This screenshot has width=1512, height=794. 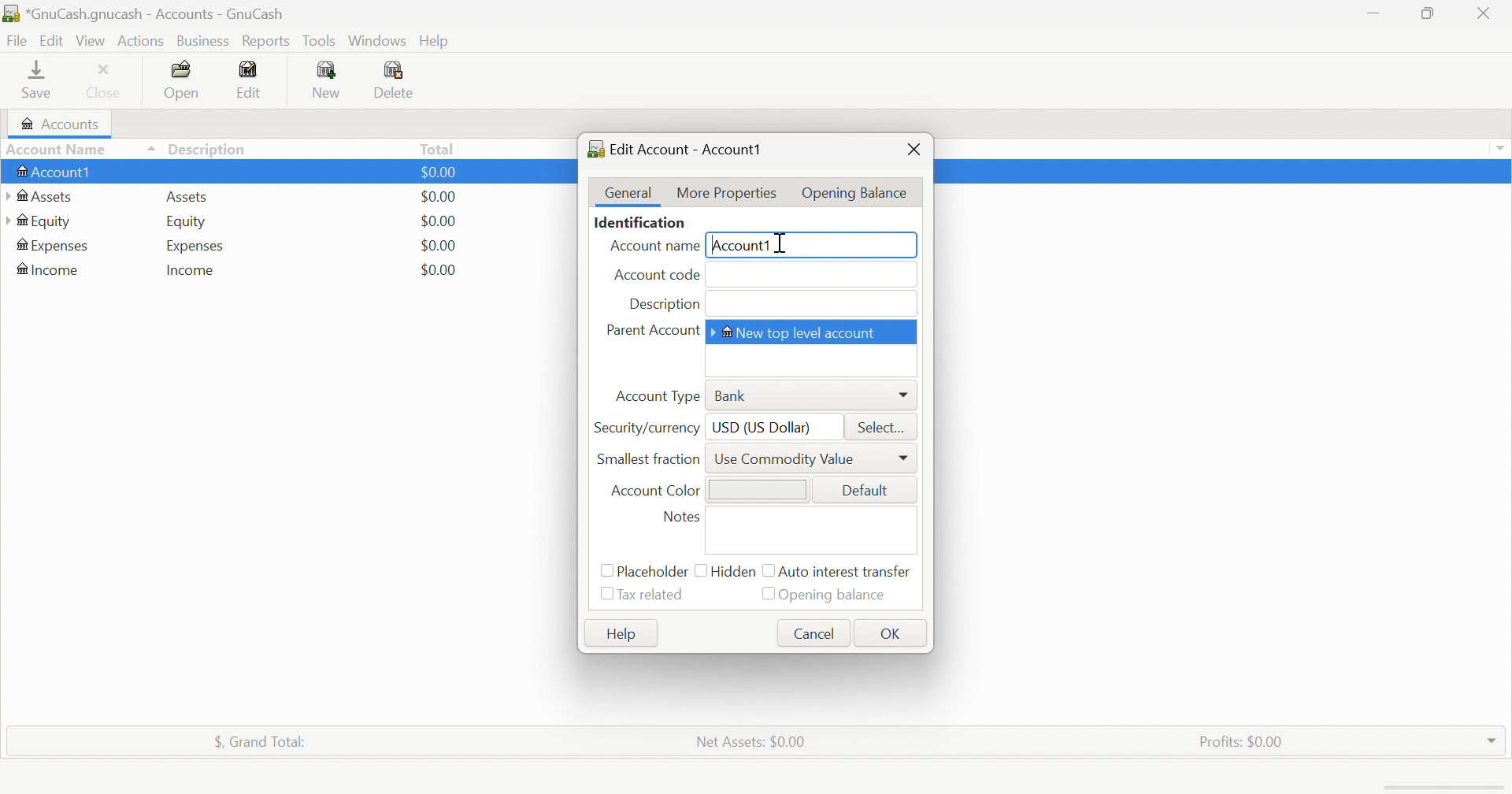 I want to click on Minimize, so click(x=1372, y=13).